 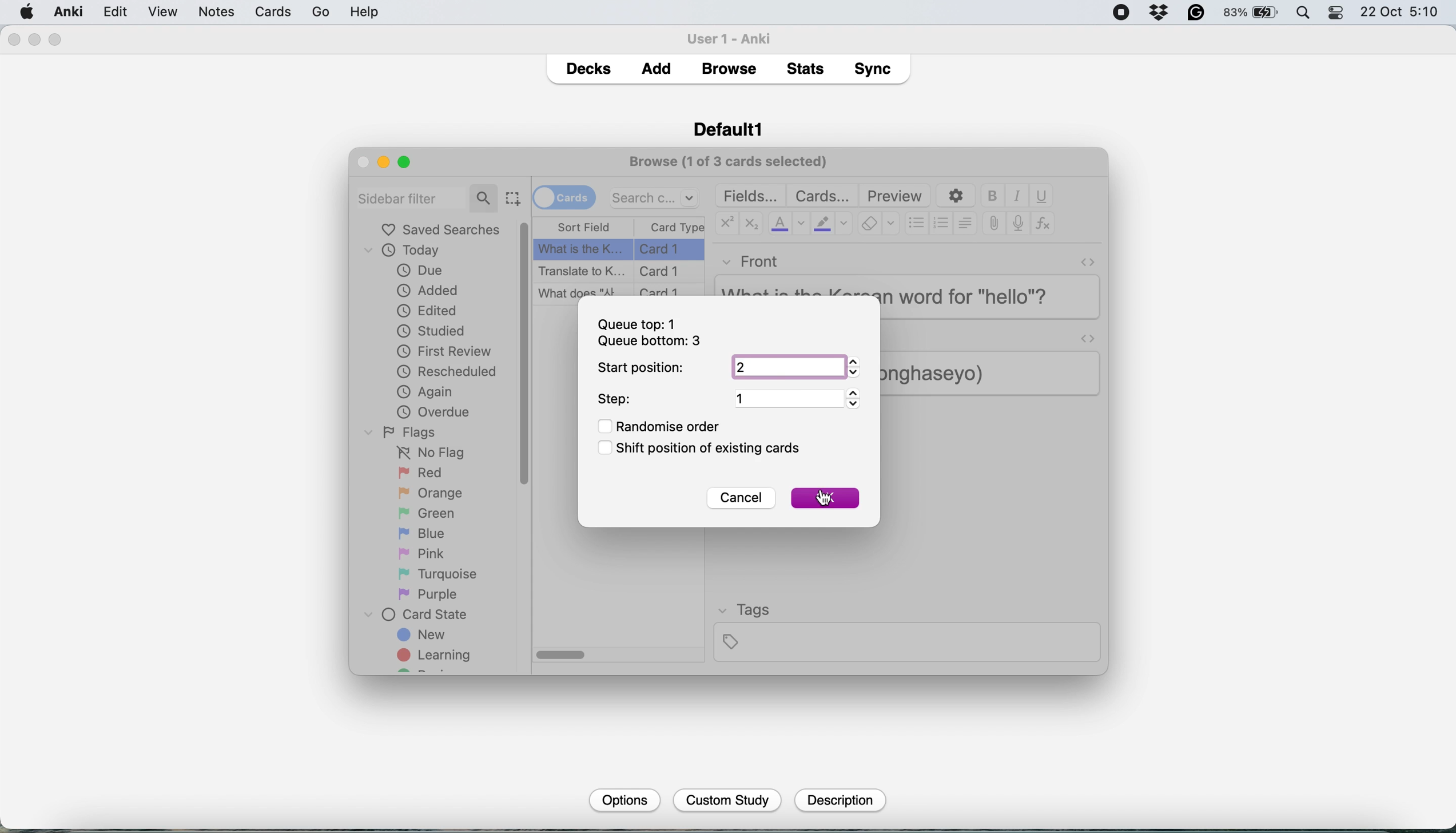 What do you see at coordinates (564, 196) in the screenshot?
I see `cards` at bounding box center [564, 196].